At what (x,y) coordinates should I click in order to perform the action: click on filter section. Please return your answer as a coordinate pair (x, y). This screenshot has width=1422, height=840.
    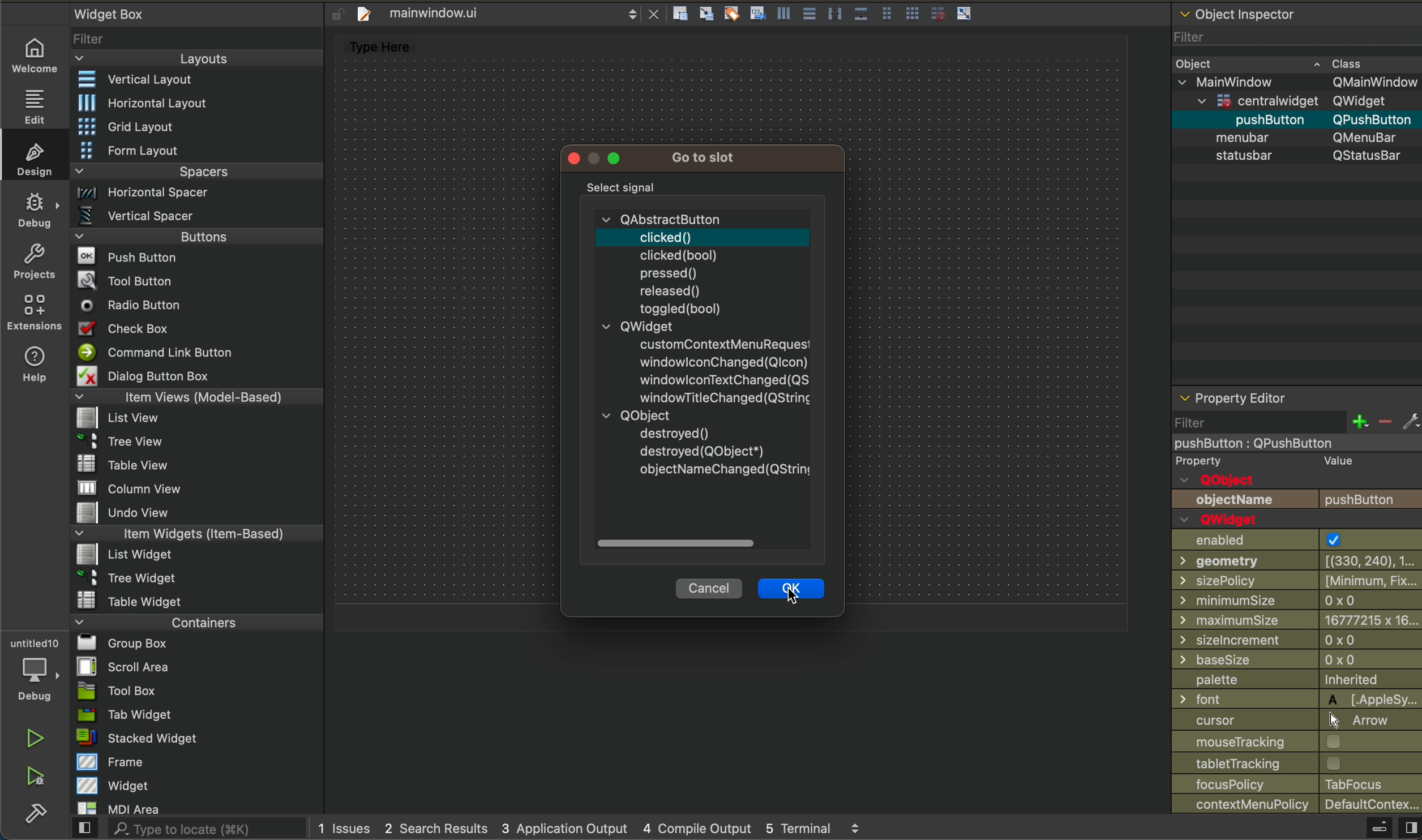
    Looking at the image, I should click on (1297, 424).